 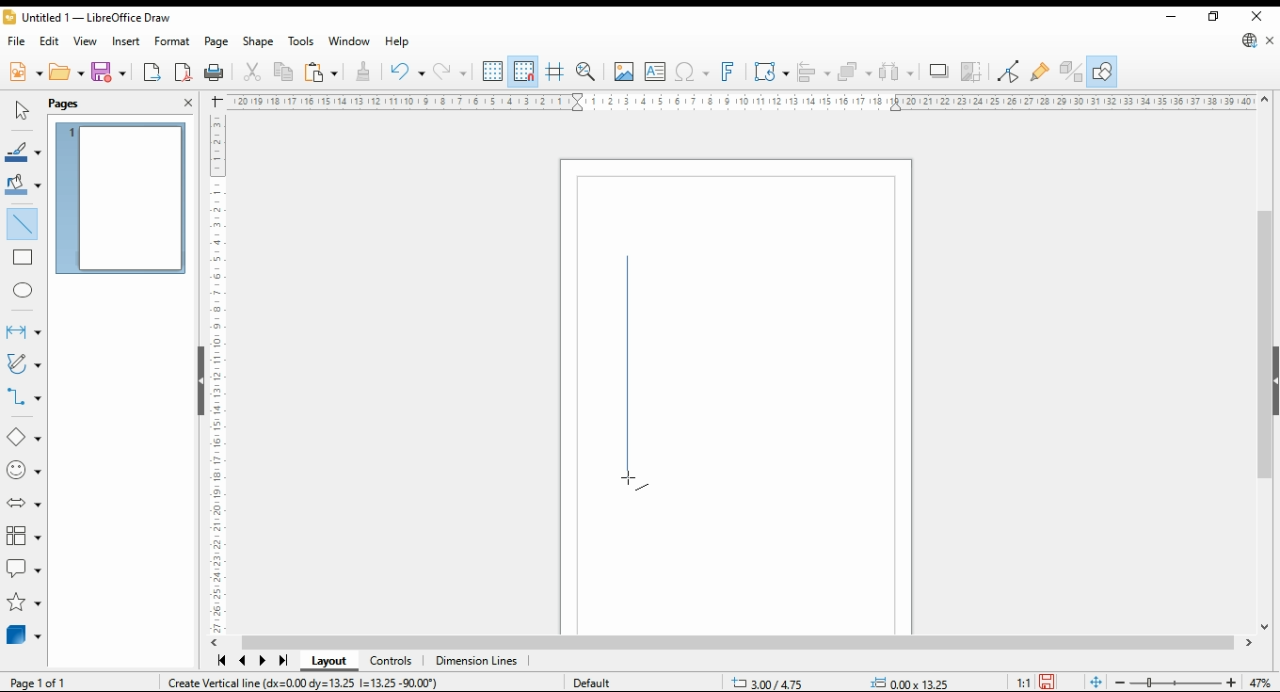 I want to click on redo, so click(x=406, y=73).